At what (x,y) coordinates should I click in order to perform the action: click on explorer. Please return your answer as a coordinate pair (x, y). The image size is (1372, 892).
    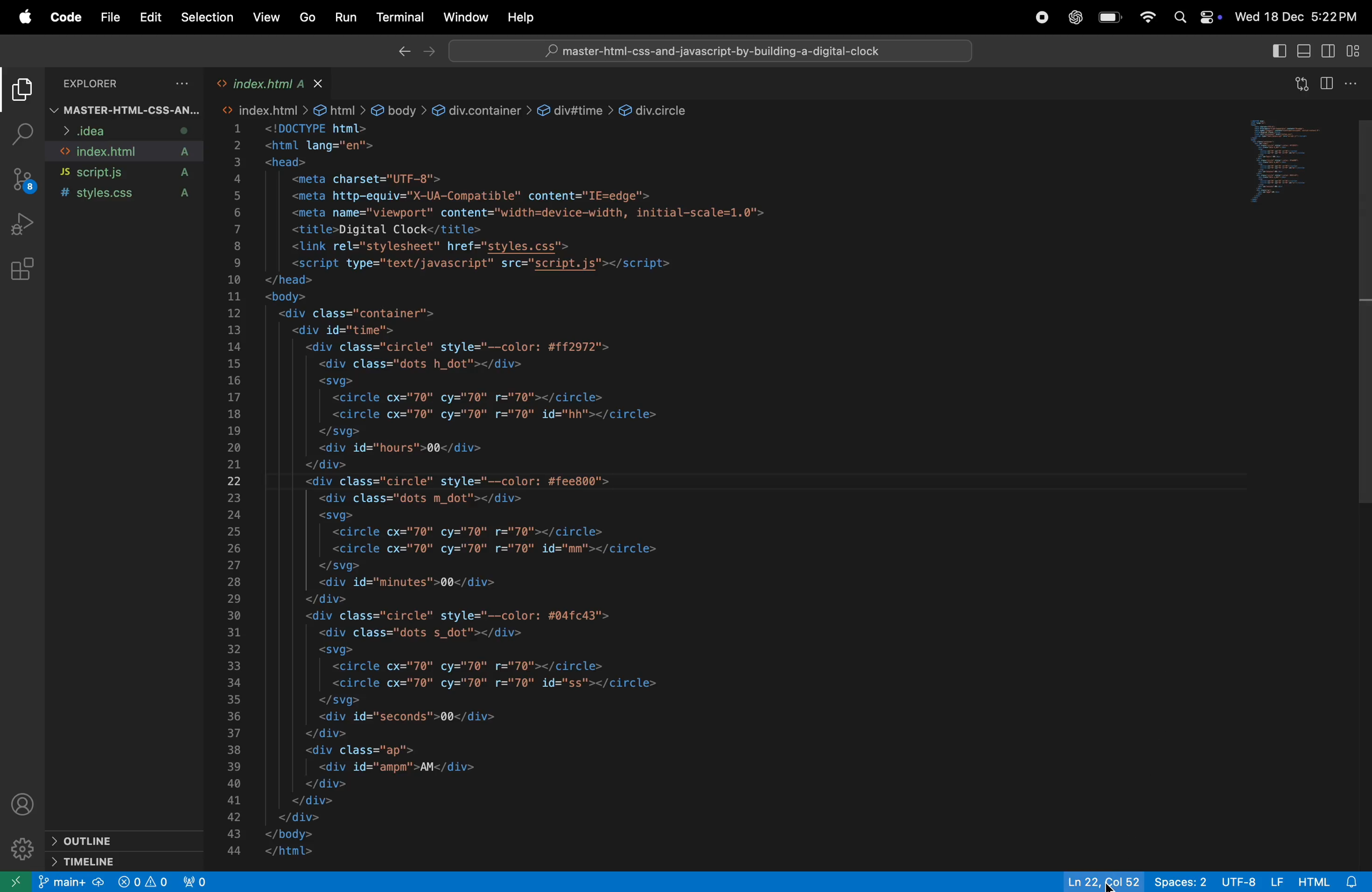
    Looking at the image, I should click on (129, 85).